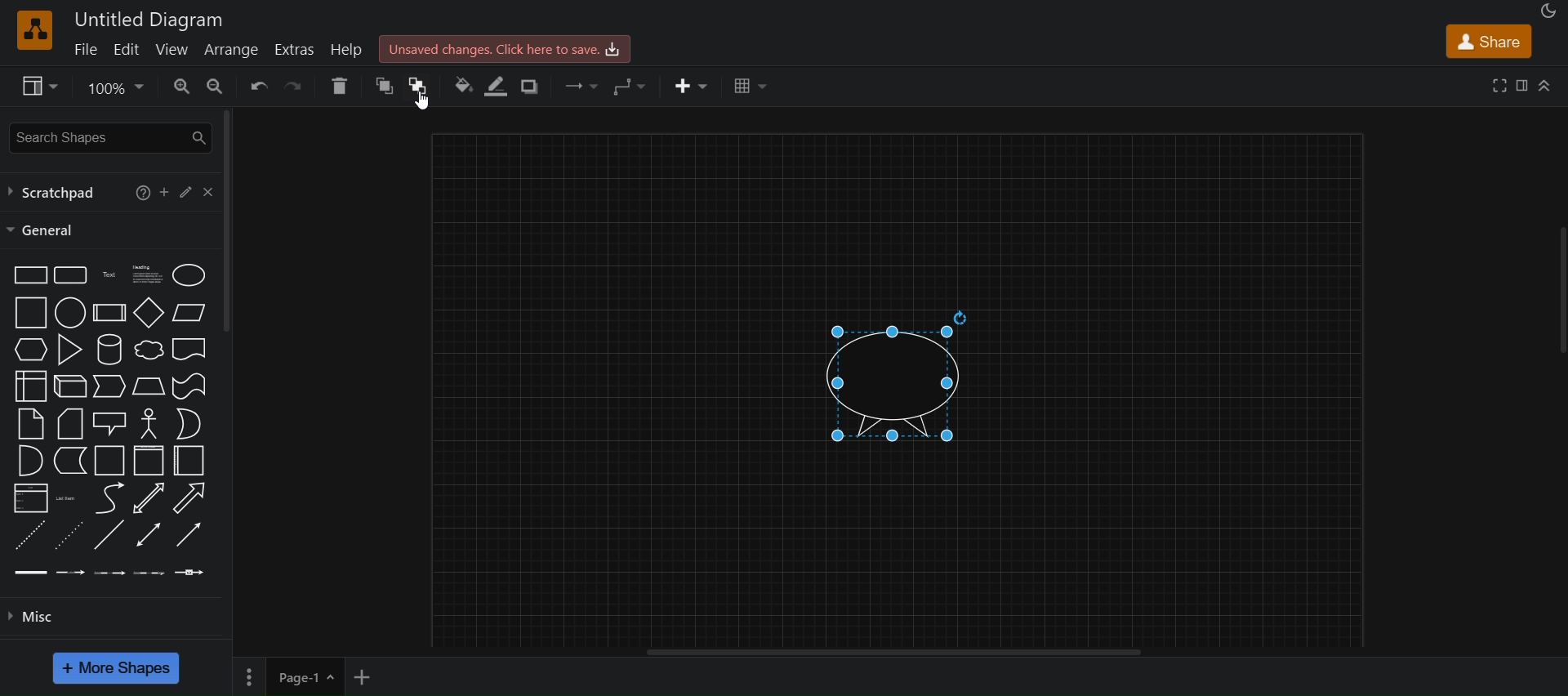  I want to click on appearance, so click(1549, 11).